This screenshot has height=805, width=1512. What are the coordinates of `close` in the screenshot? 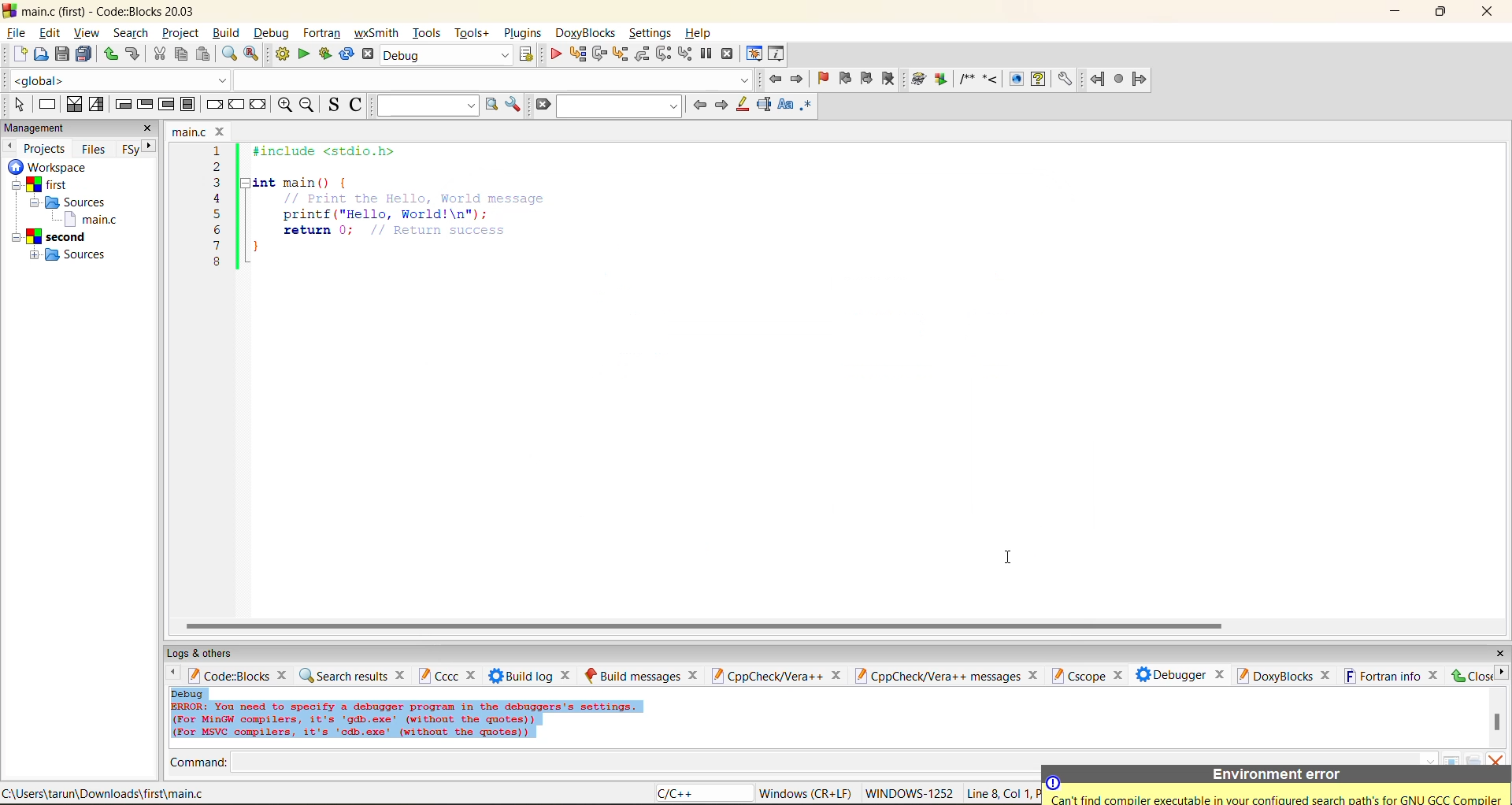 It's located at (1117, 676).